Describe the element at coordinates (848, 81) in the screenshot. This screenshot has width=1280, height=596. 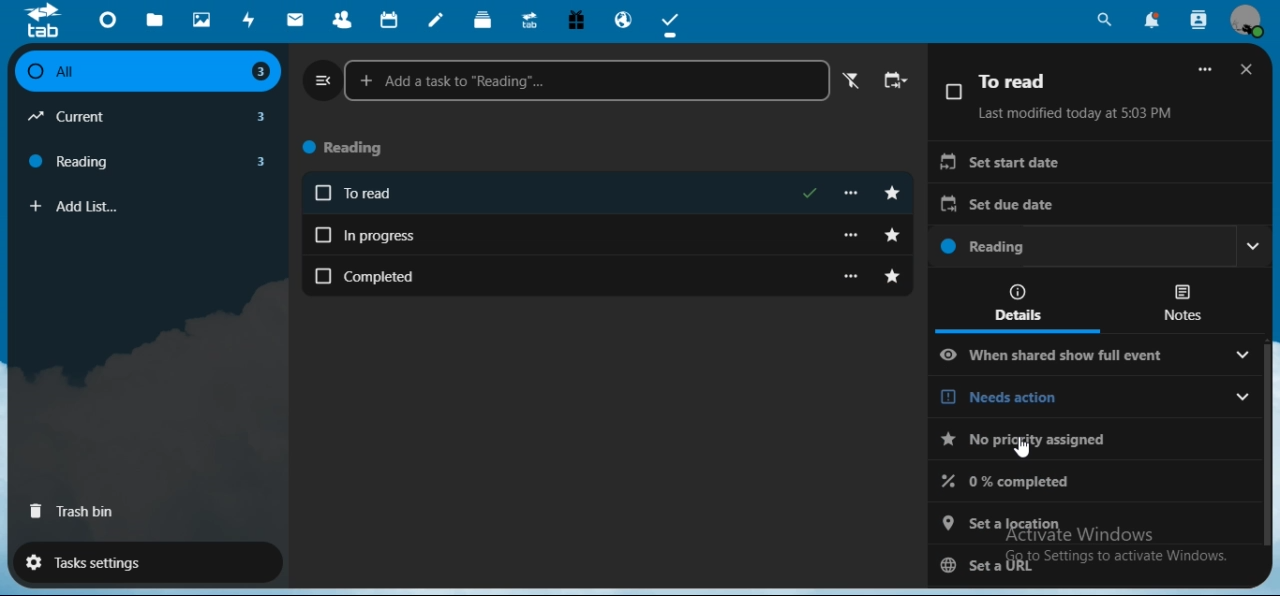
I see `active filter` at that location.